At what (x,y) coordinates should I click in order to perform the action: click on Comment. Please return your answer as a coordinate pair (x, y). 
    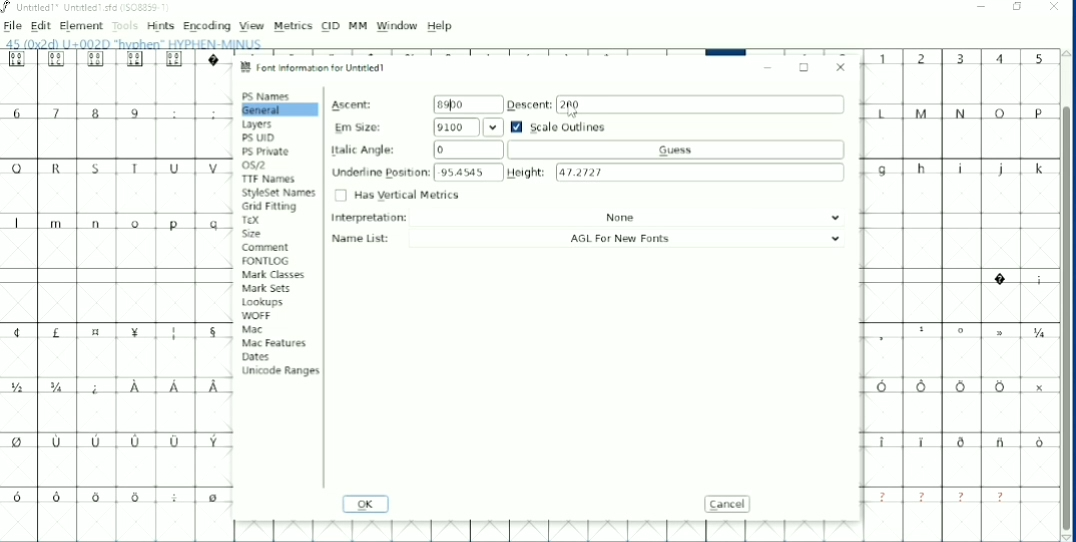
    Looking at the image, I should click on (265, 247).